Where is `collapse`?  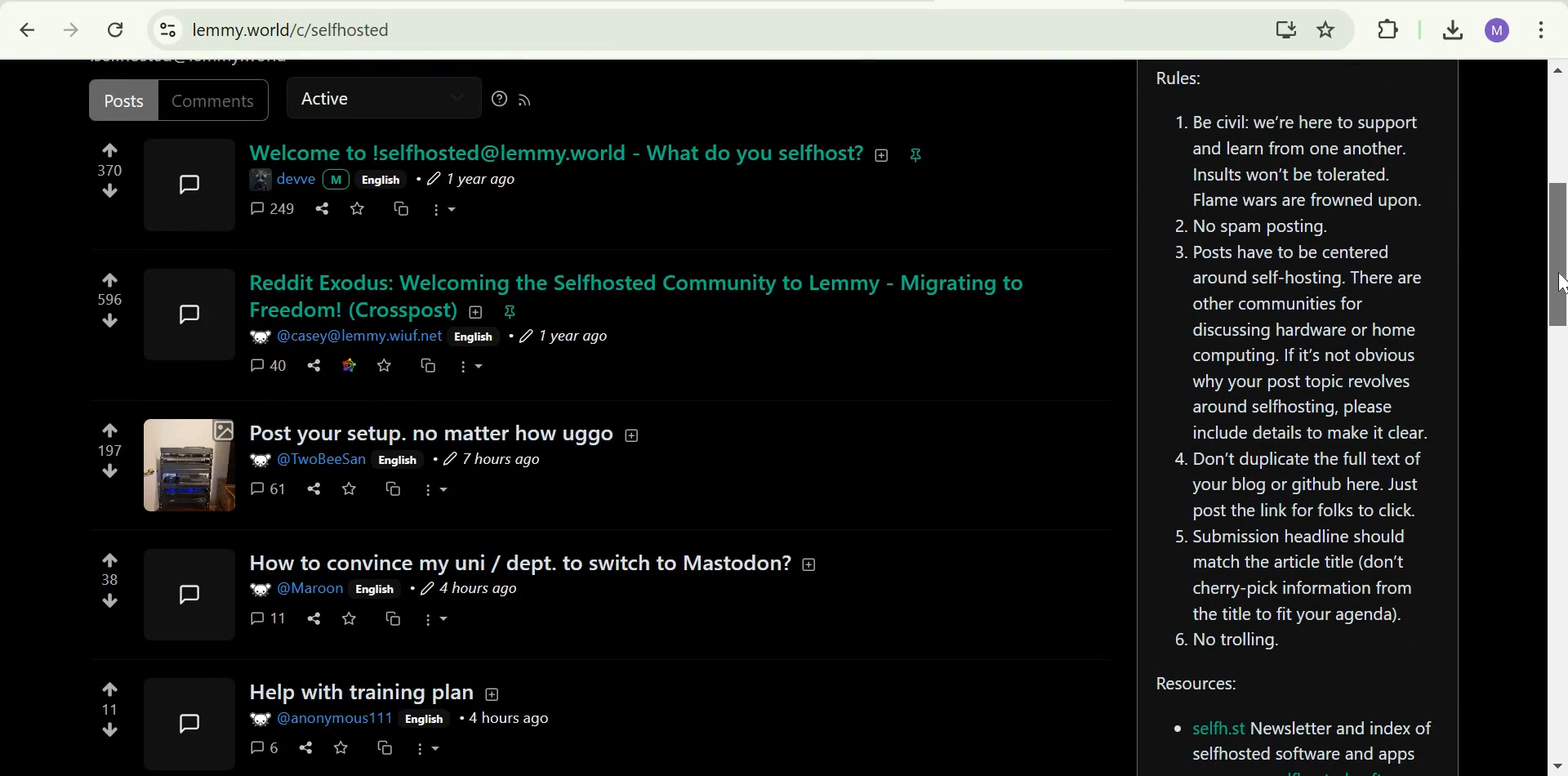 collapse is located at coordinates (631, 433).